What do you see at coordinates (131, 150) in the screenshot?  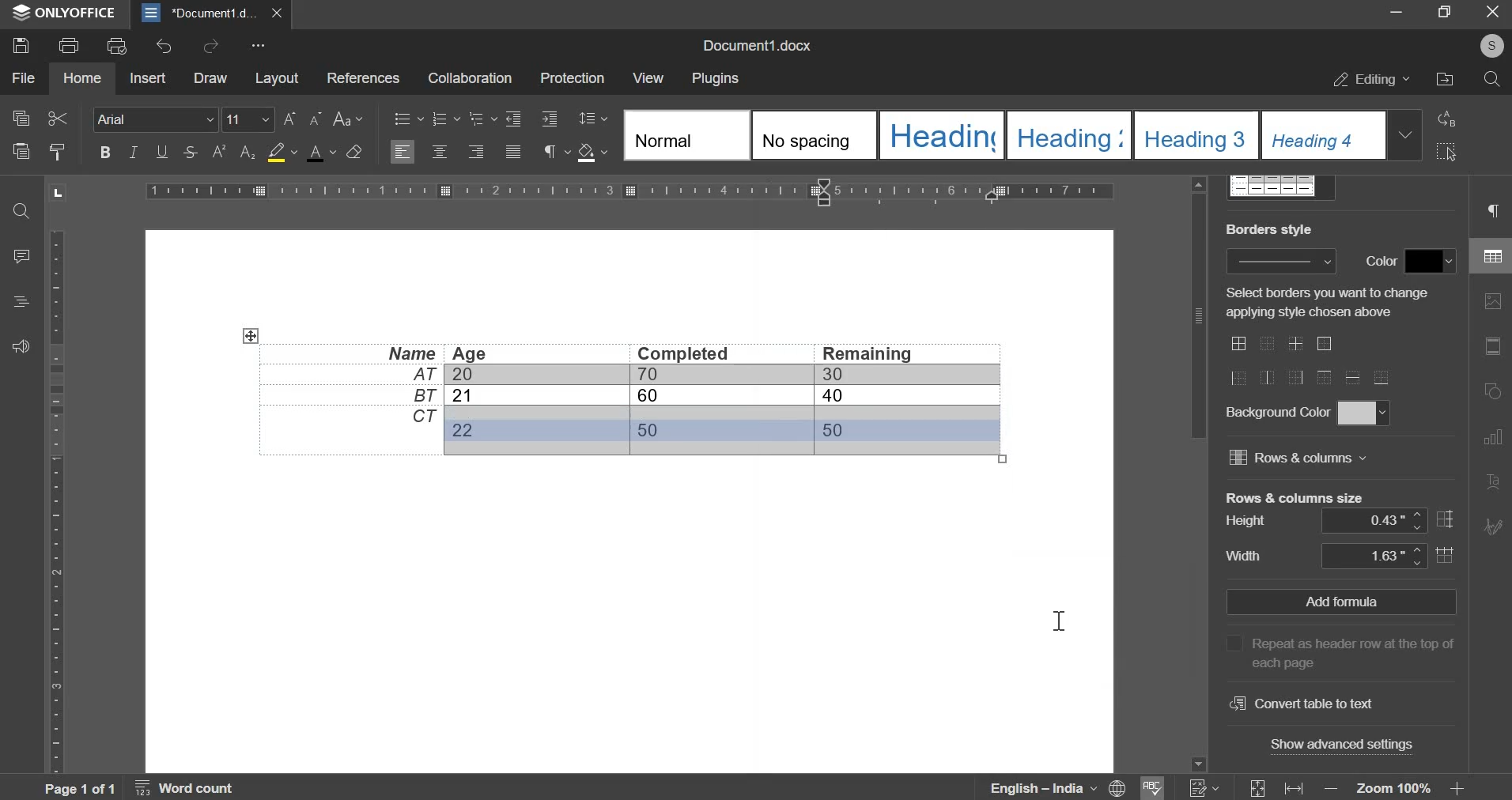 I see `italic` at bounding box center [131, 150].